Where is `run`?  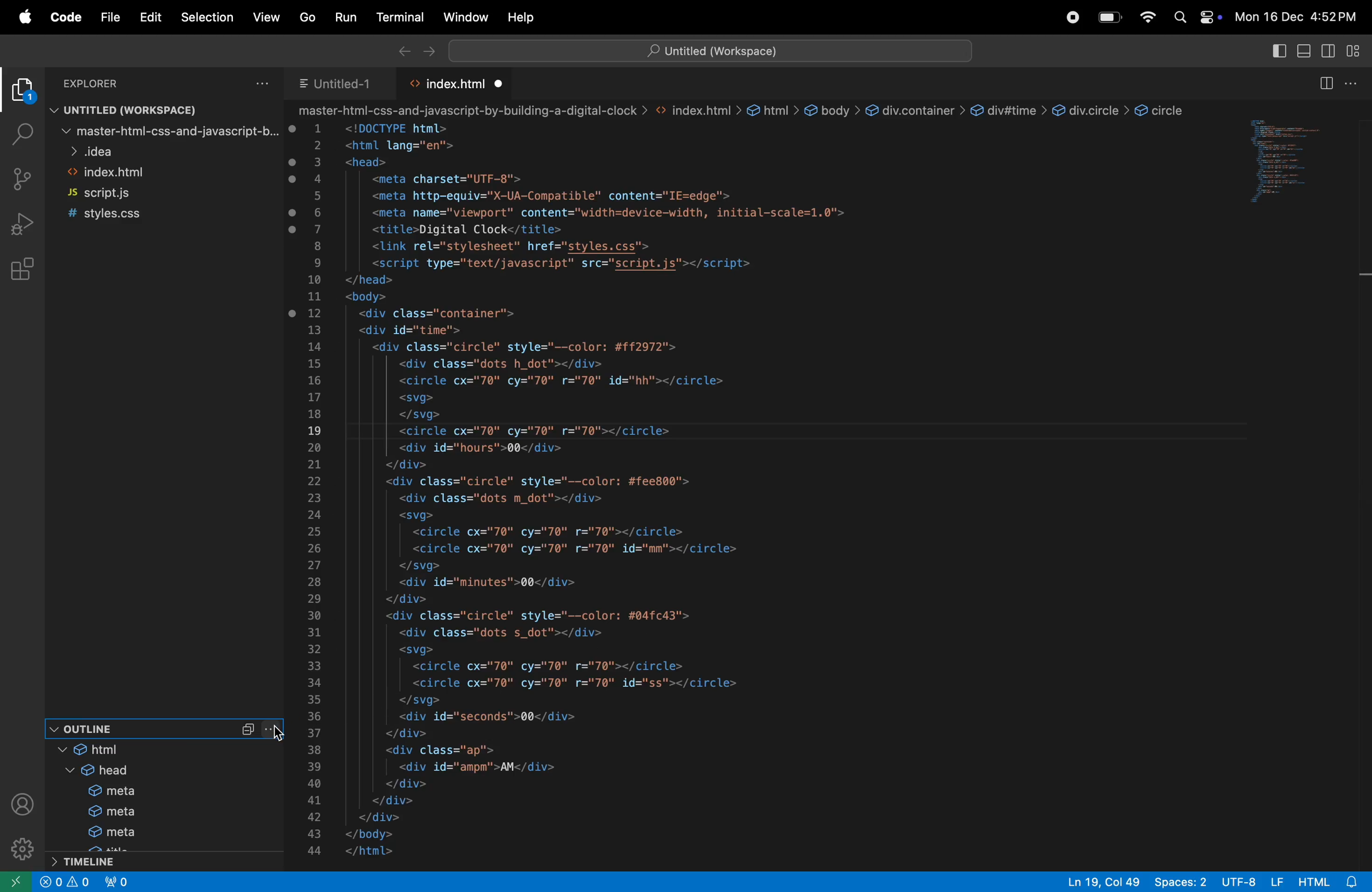
run is located at coordinates (342, 18).